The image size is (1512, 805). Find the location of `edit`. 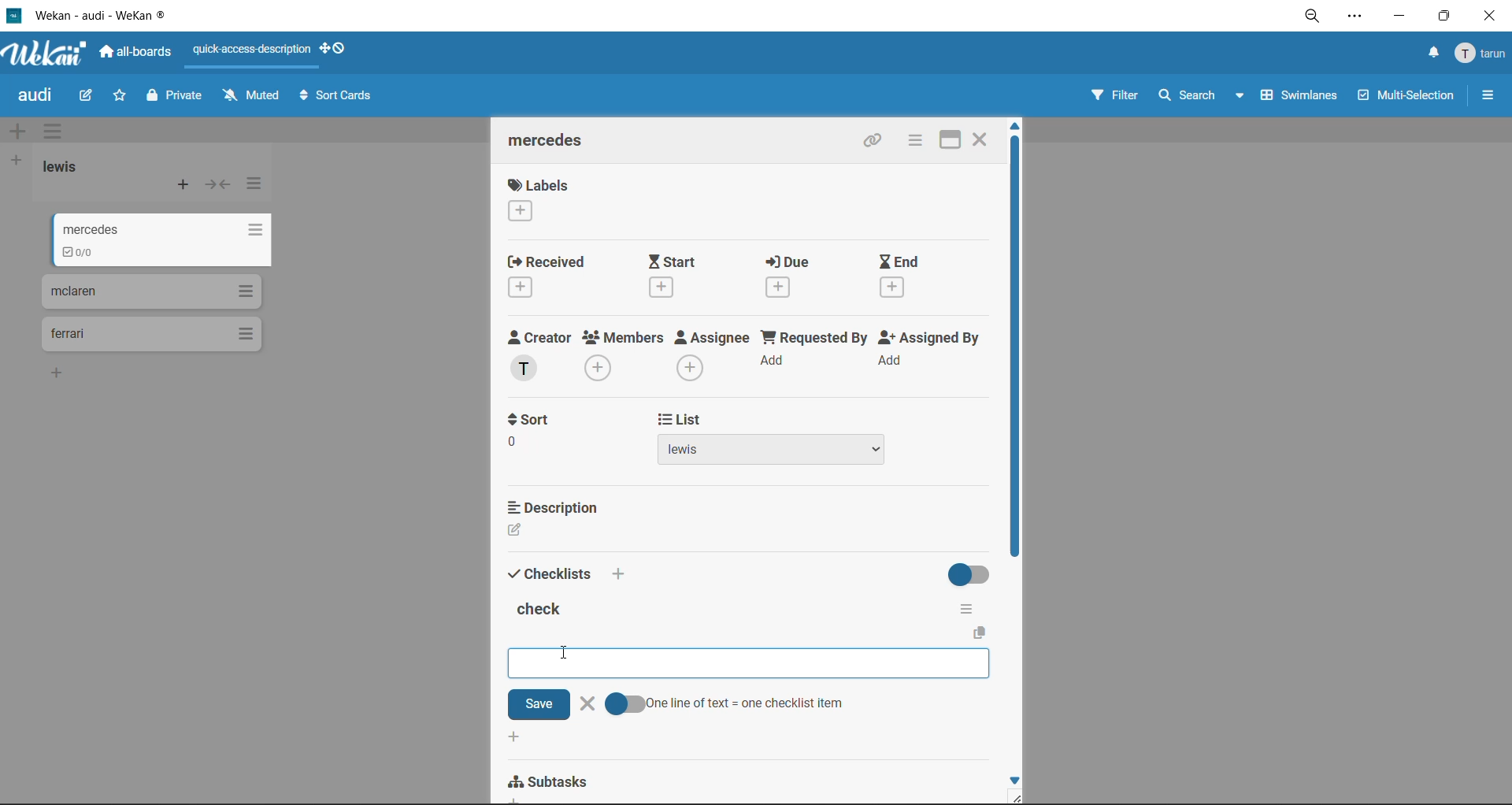

edit is located at coordinates (87, 95).